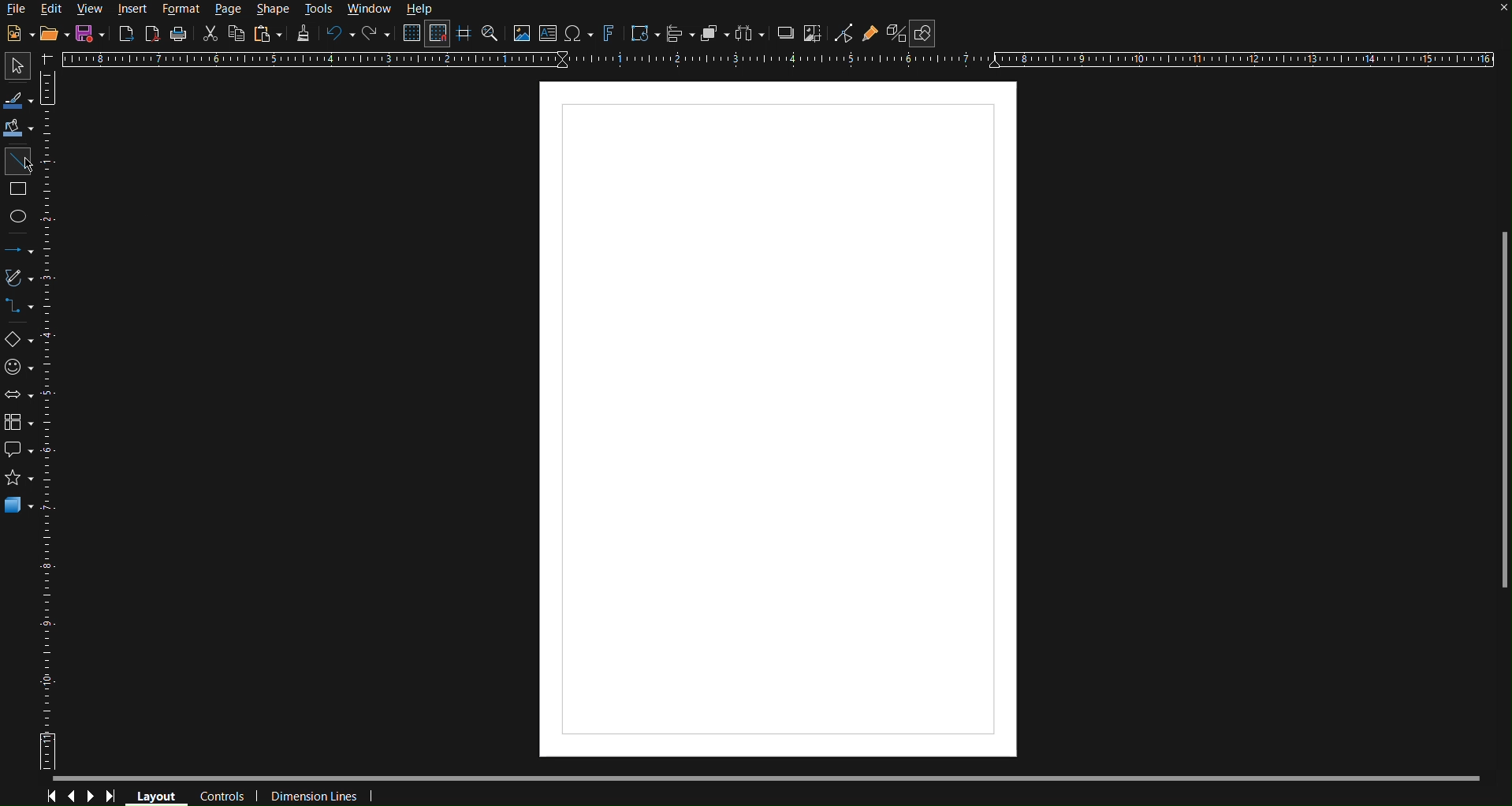 This screenshot has width=1512, height=806. What do you see at coordinates (52, 9) in the screenshot?
I see `Edit` at bounding box center [52, 9].